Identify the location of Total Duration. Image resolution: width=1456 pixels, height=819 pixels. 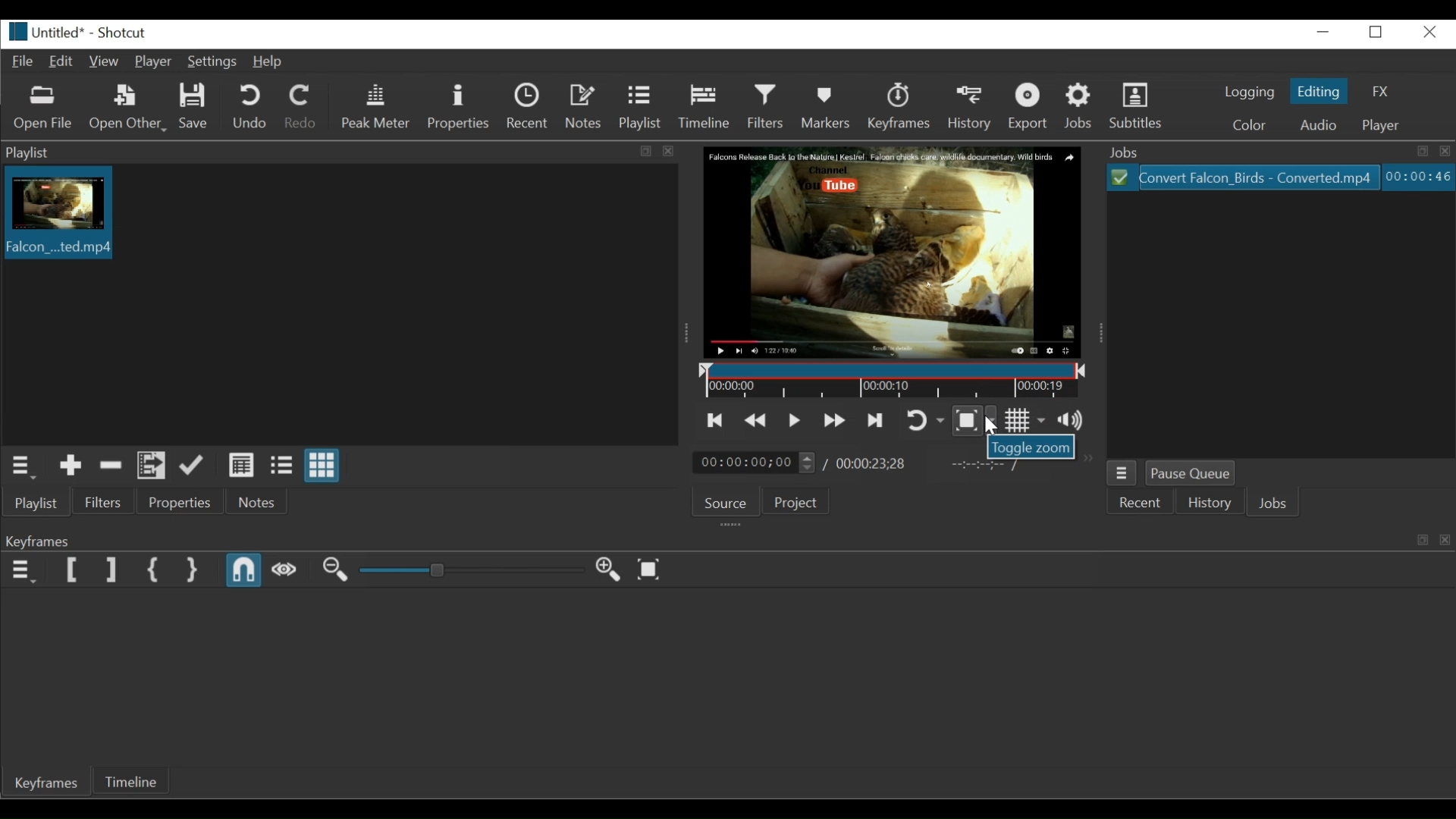
(868, 463).